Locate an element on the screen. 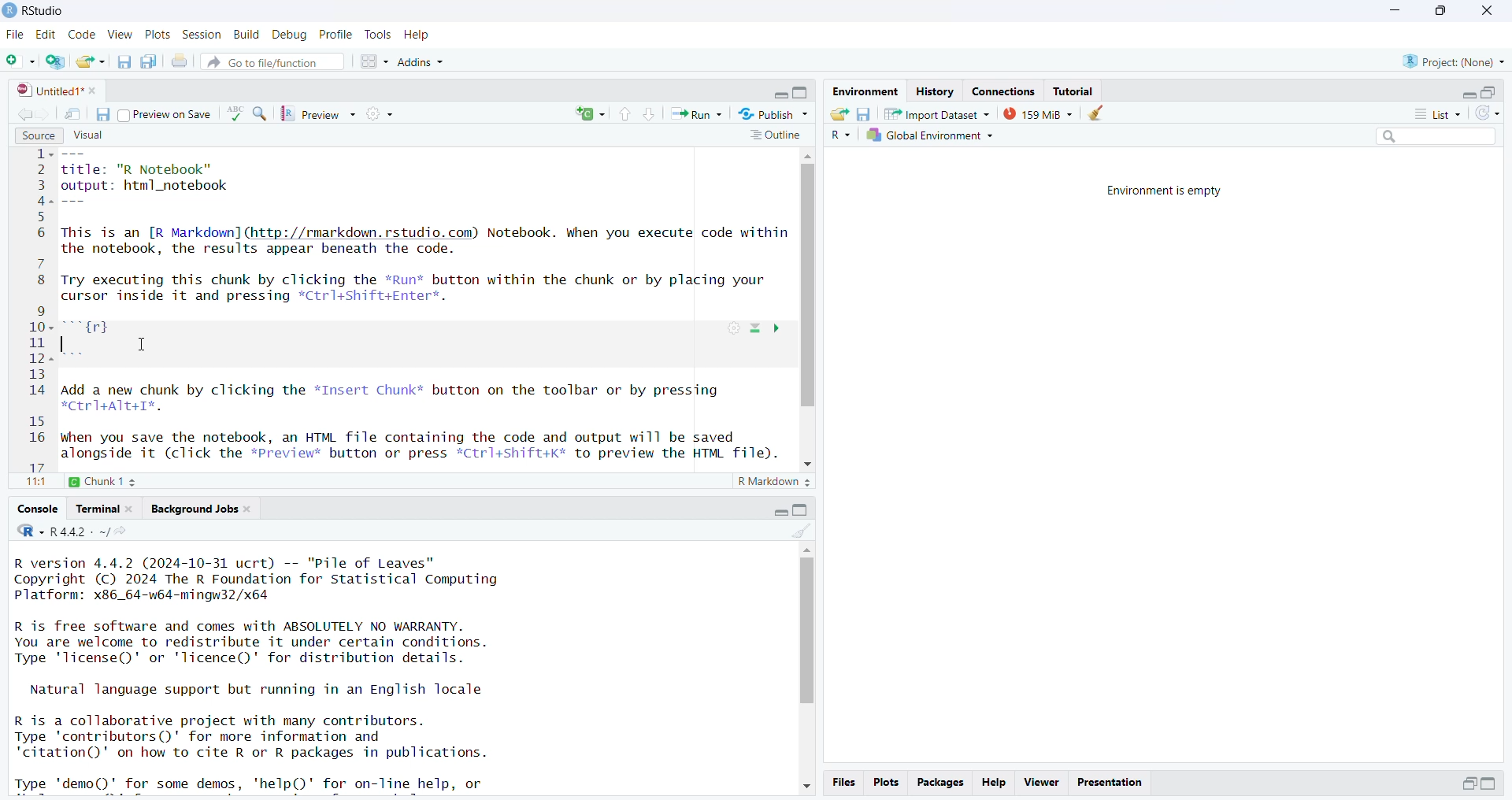 The width and height of the screenshot is (1512, 800). scrollbar is located at coordinates (810, 311).